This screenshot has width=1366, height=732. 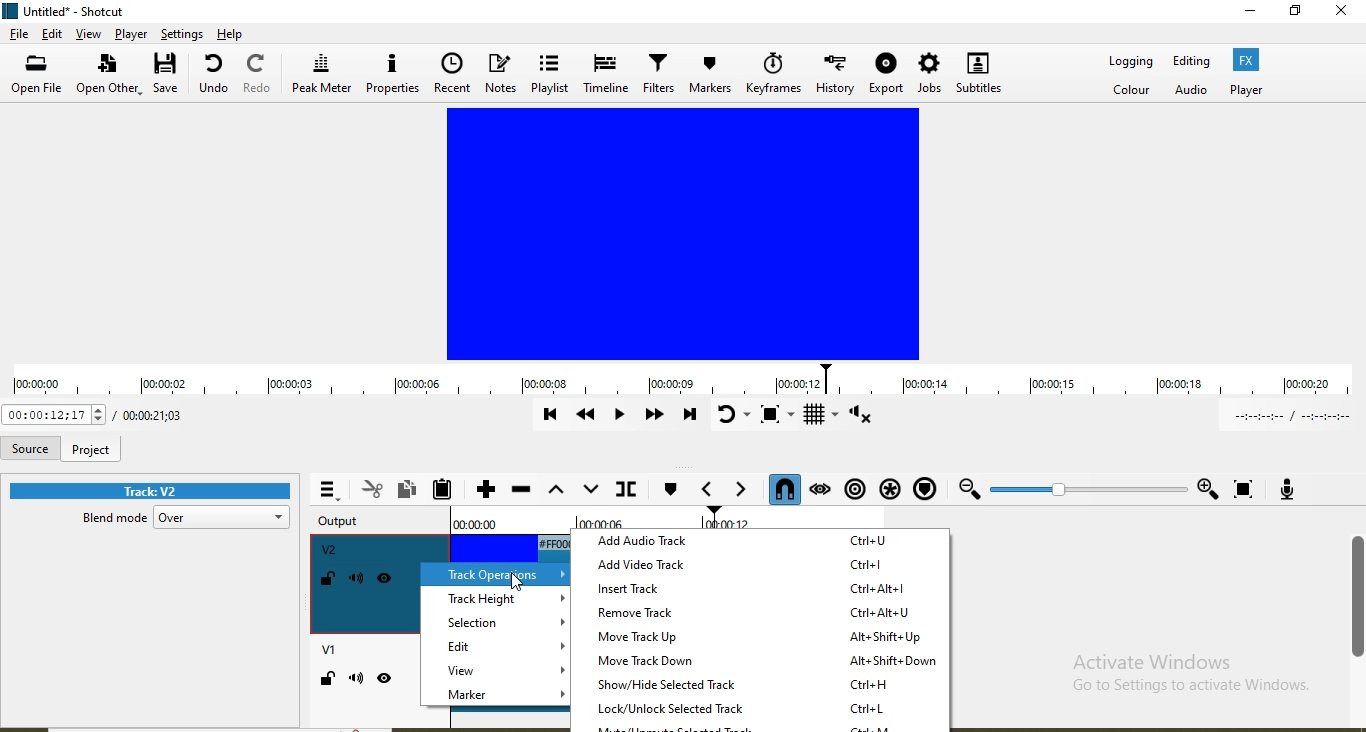 What do you see at coordinates (1292, 416) in the screenshot?
I see `In point` at bounding box center [1292, 416].